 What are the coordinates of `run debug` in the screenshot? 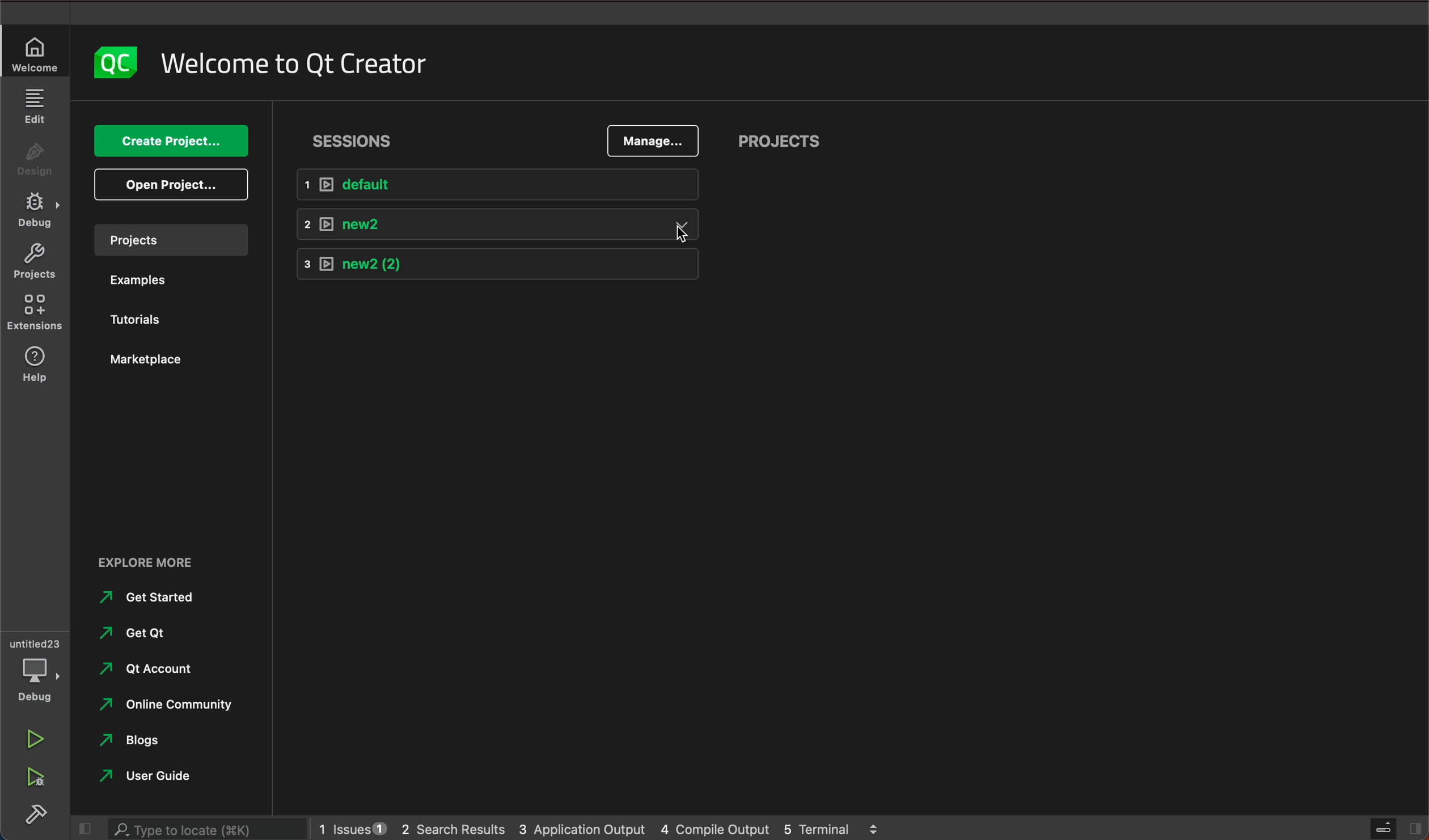 It's located at (35, 775).